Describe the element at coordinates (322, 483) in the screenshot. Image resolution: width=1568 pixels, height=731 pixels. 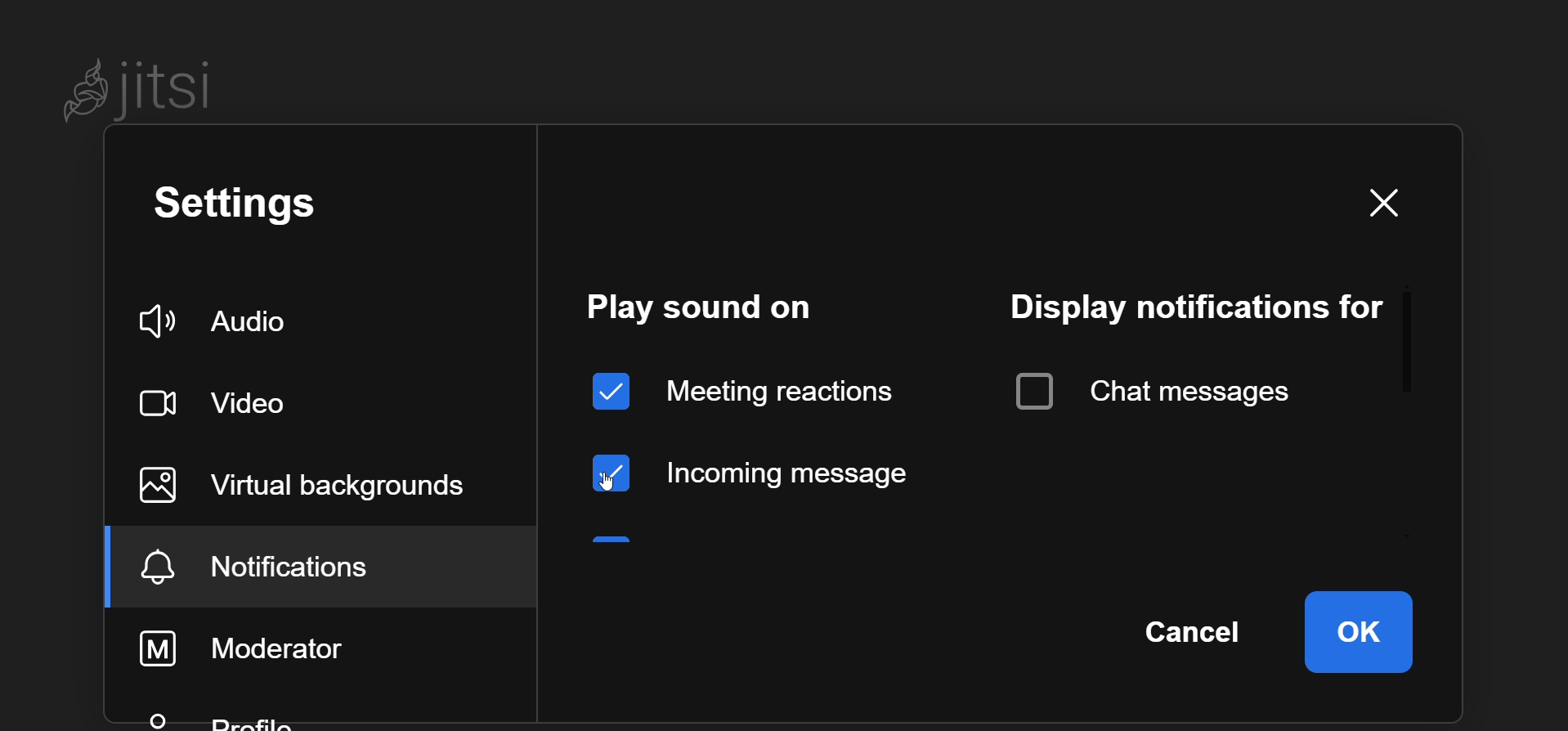
I see `virtual background` at that location.